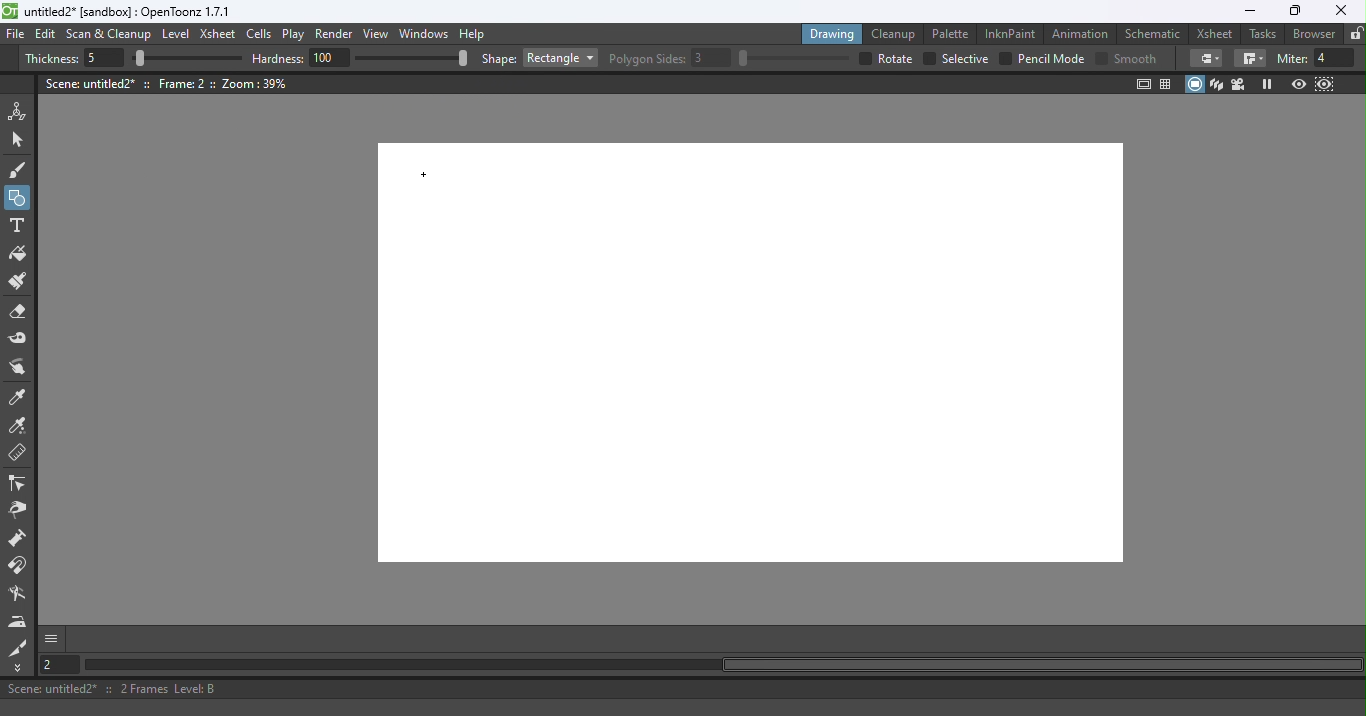 This screenshot has height=716, width=1366. What do you see at coordinates (19, 398) in the screenshot?
I see `Style picker tool` at bounding box center [19, 398].